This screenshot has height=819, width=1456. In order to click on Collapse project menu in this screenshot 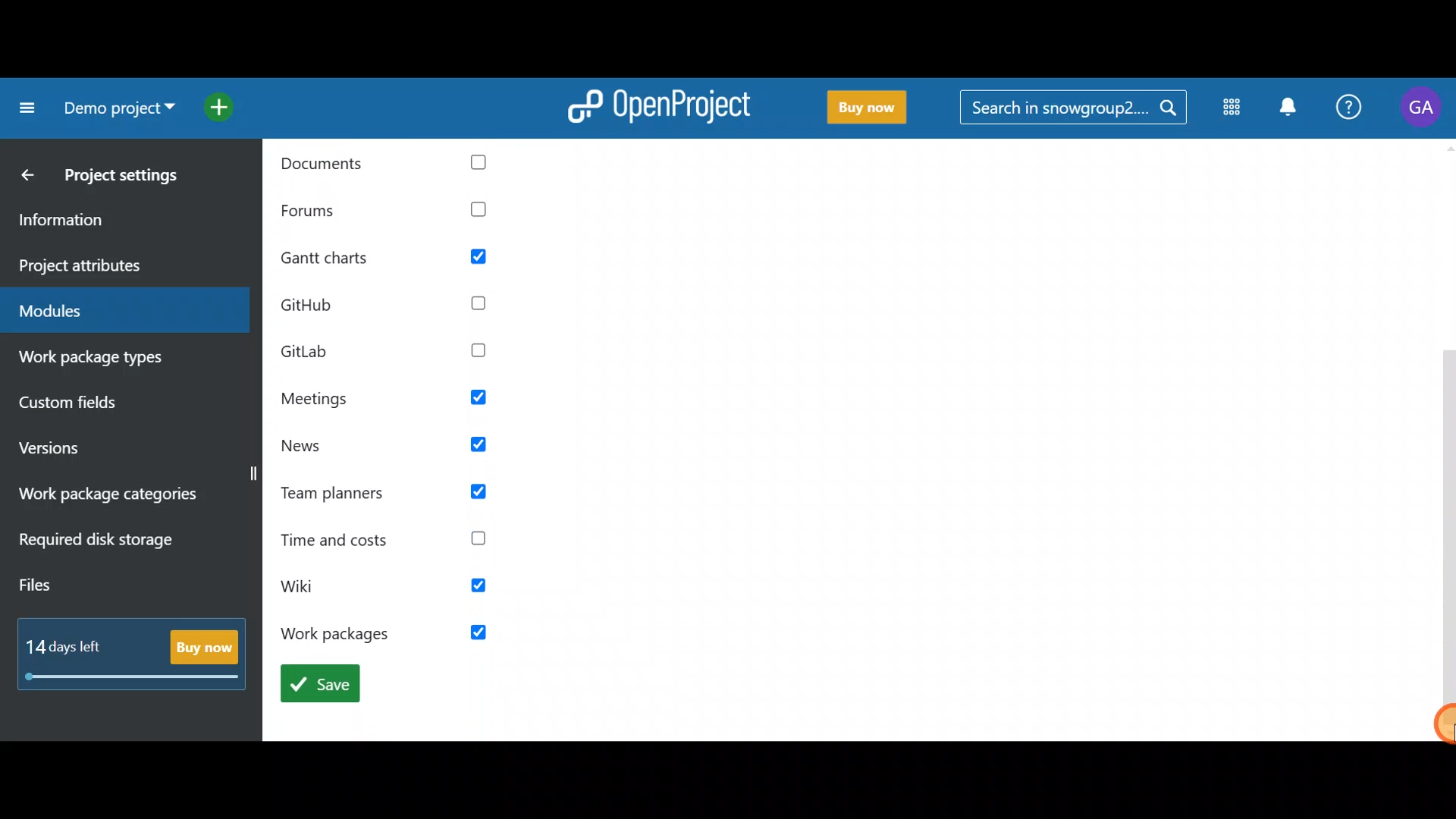, I will do `click(24, 111)`.